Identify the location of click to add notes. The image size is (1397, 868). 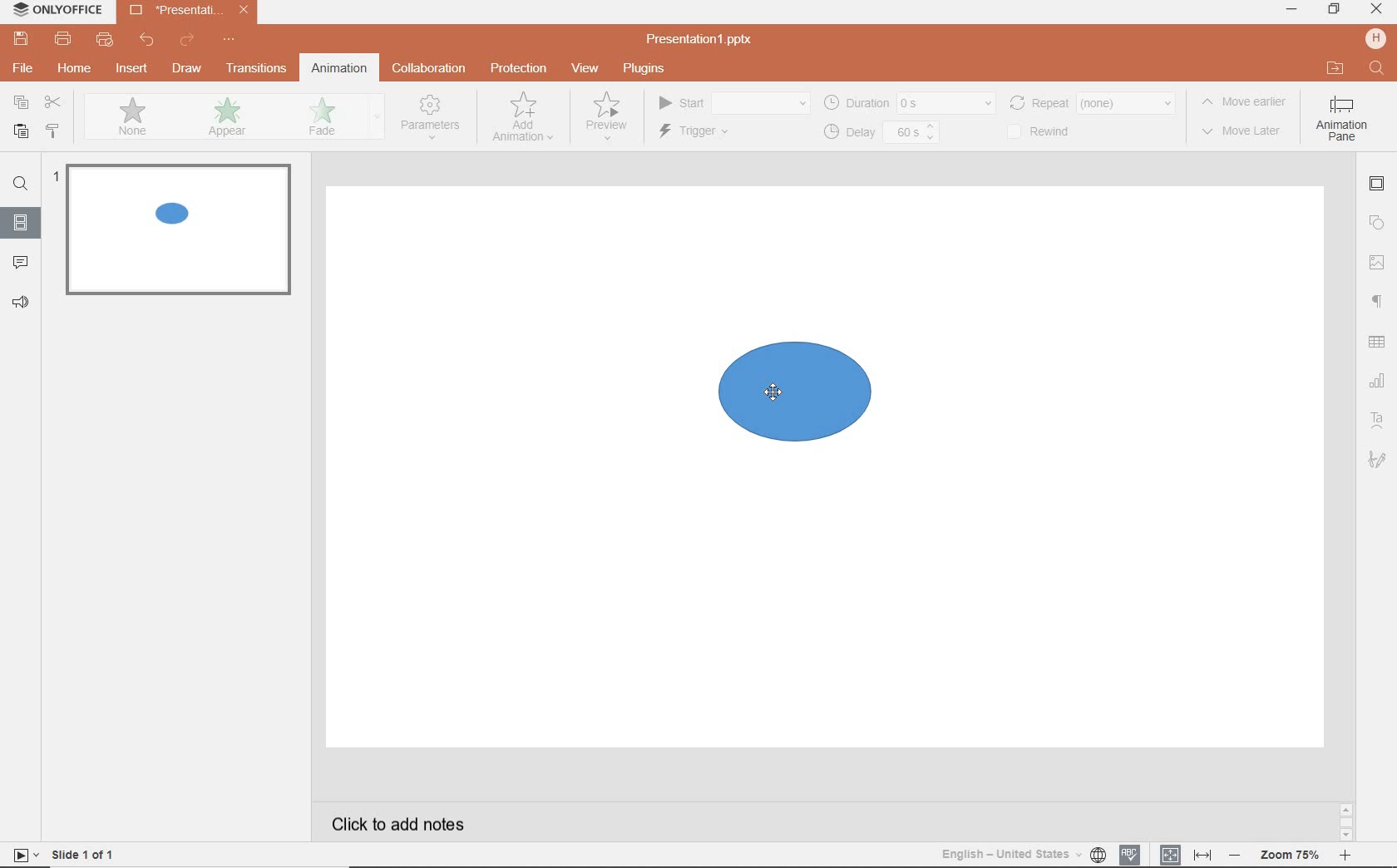
(402, 819).